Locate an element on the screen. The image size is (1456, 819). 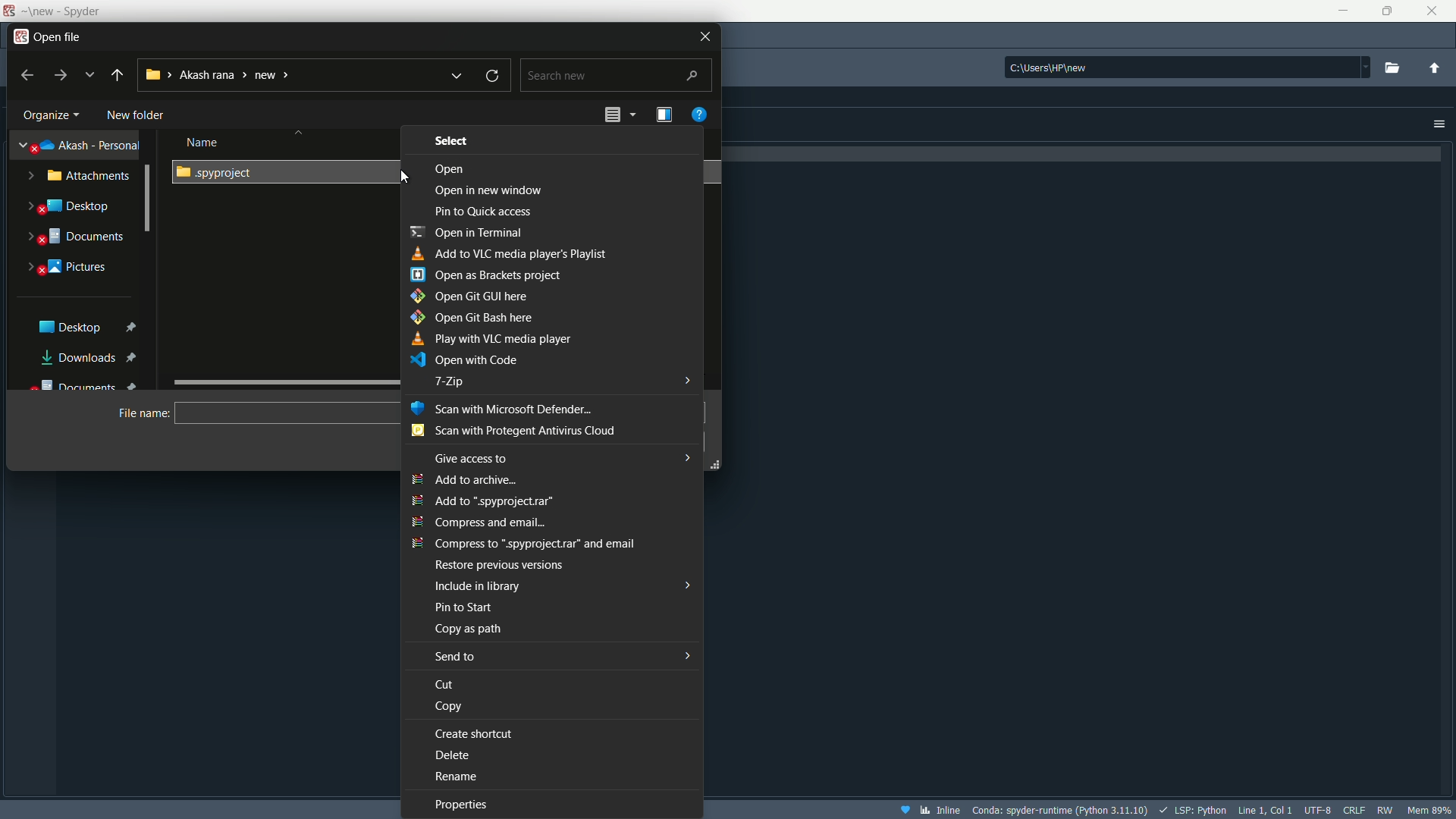
Resize Handle is located at coordinates (716, 466).